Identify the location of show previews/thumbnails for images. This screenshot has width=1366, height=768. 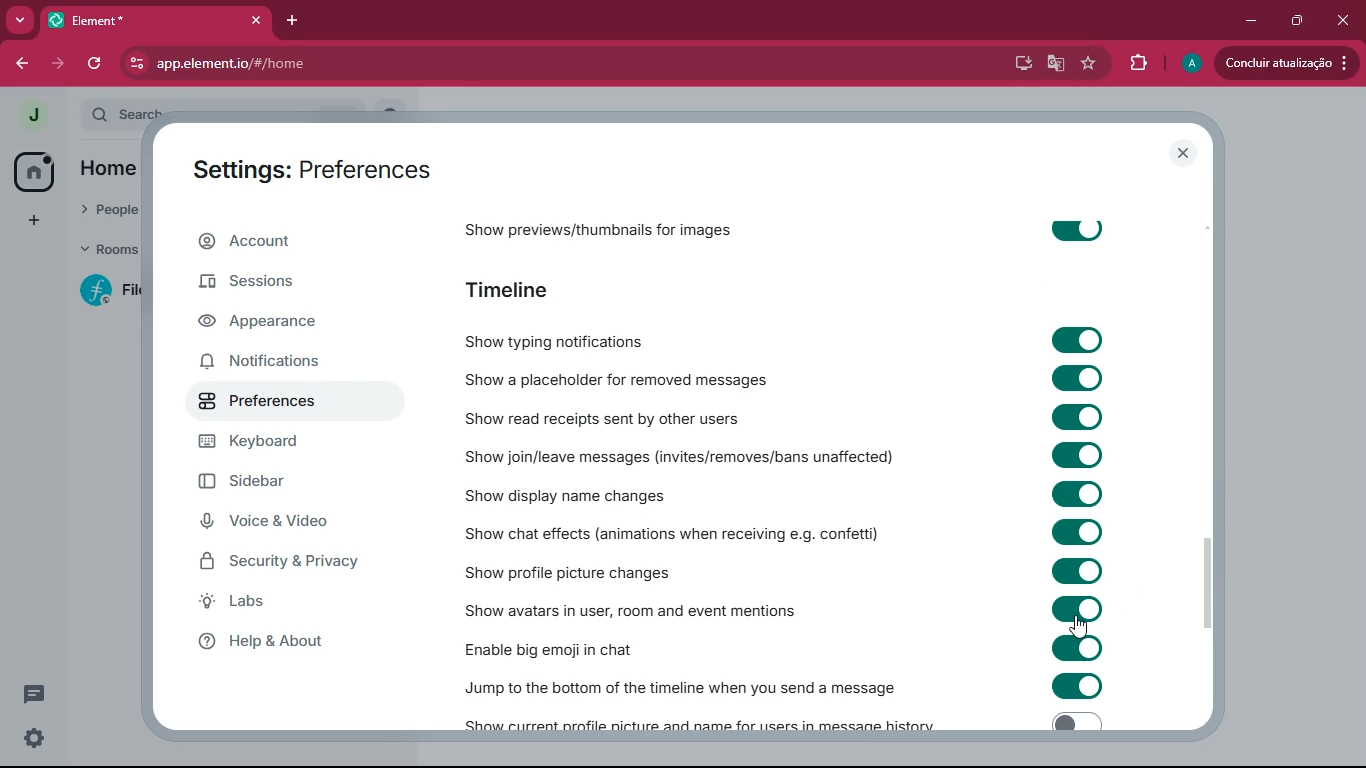
(604, 225).